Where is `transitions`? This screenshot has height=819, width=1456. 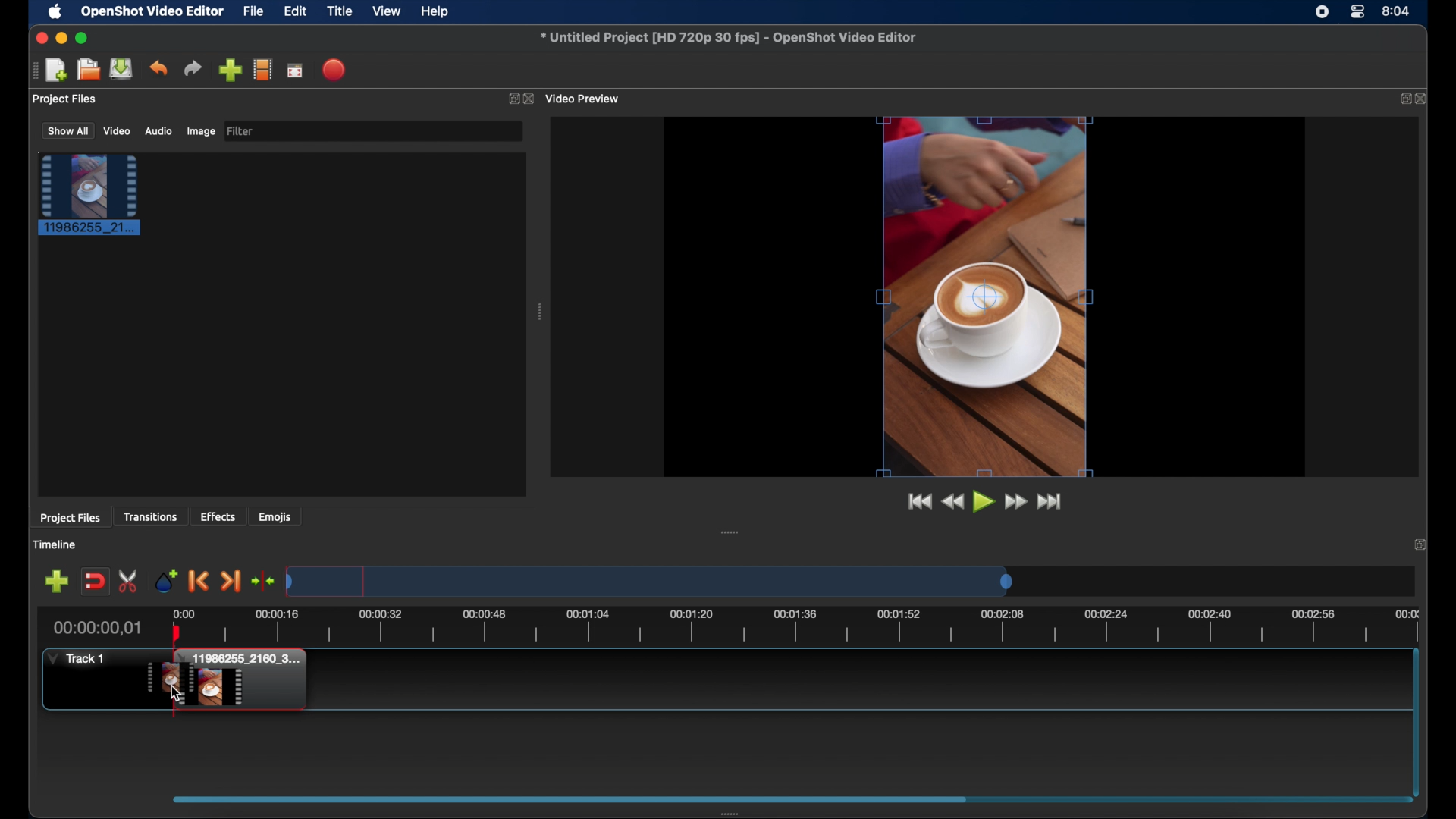
transitions is located at coordinates (150, 518).